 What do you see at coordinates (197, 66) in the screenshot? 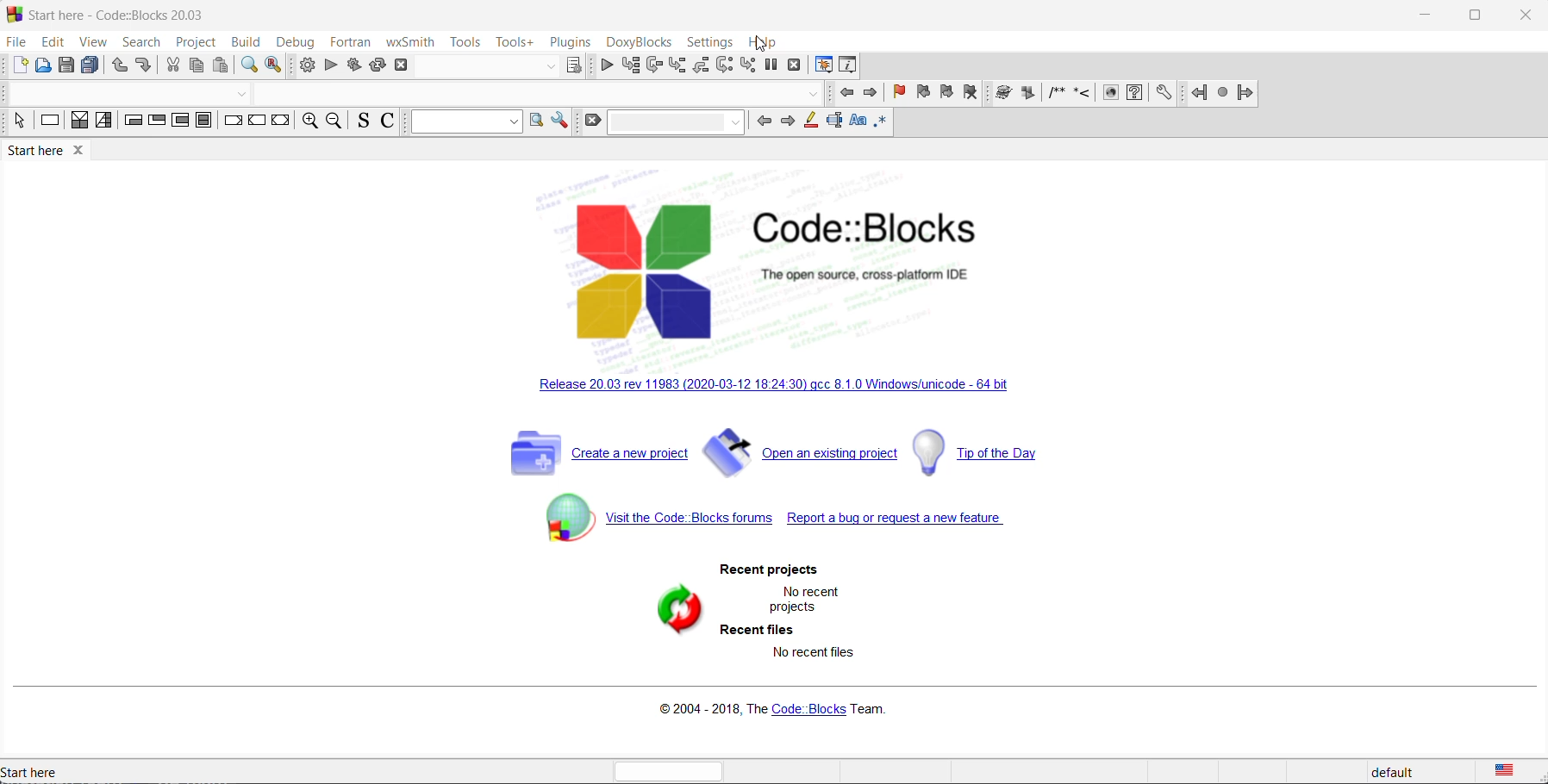
I see `copy` at bounding box center [197, 66].